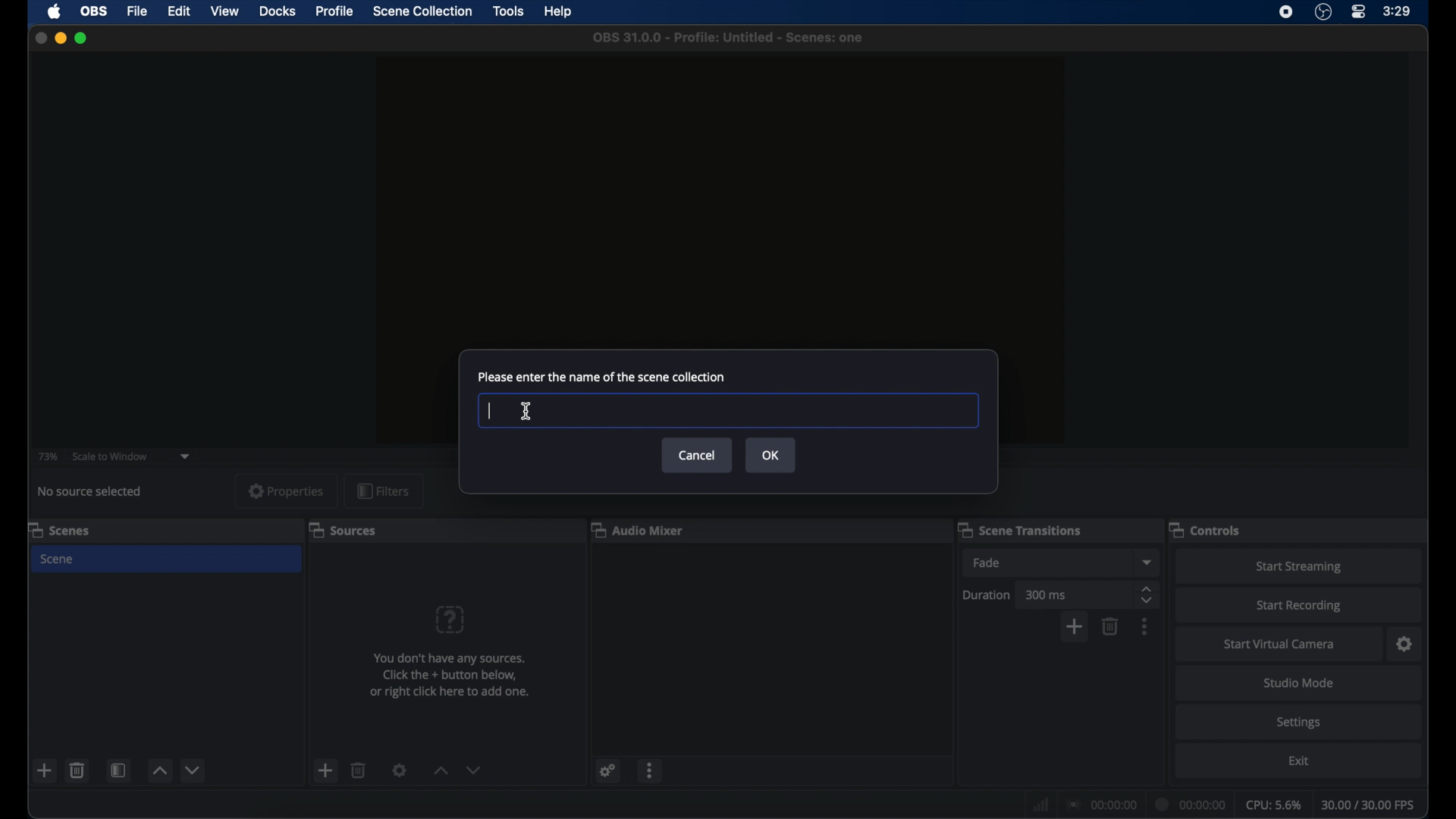  What do you see at coordinates (606, 770) in the screenshot?
I see `settings` at bounding box center [606, 770].